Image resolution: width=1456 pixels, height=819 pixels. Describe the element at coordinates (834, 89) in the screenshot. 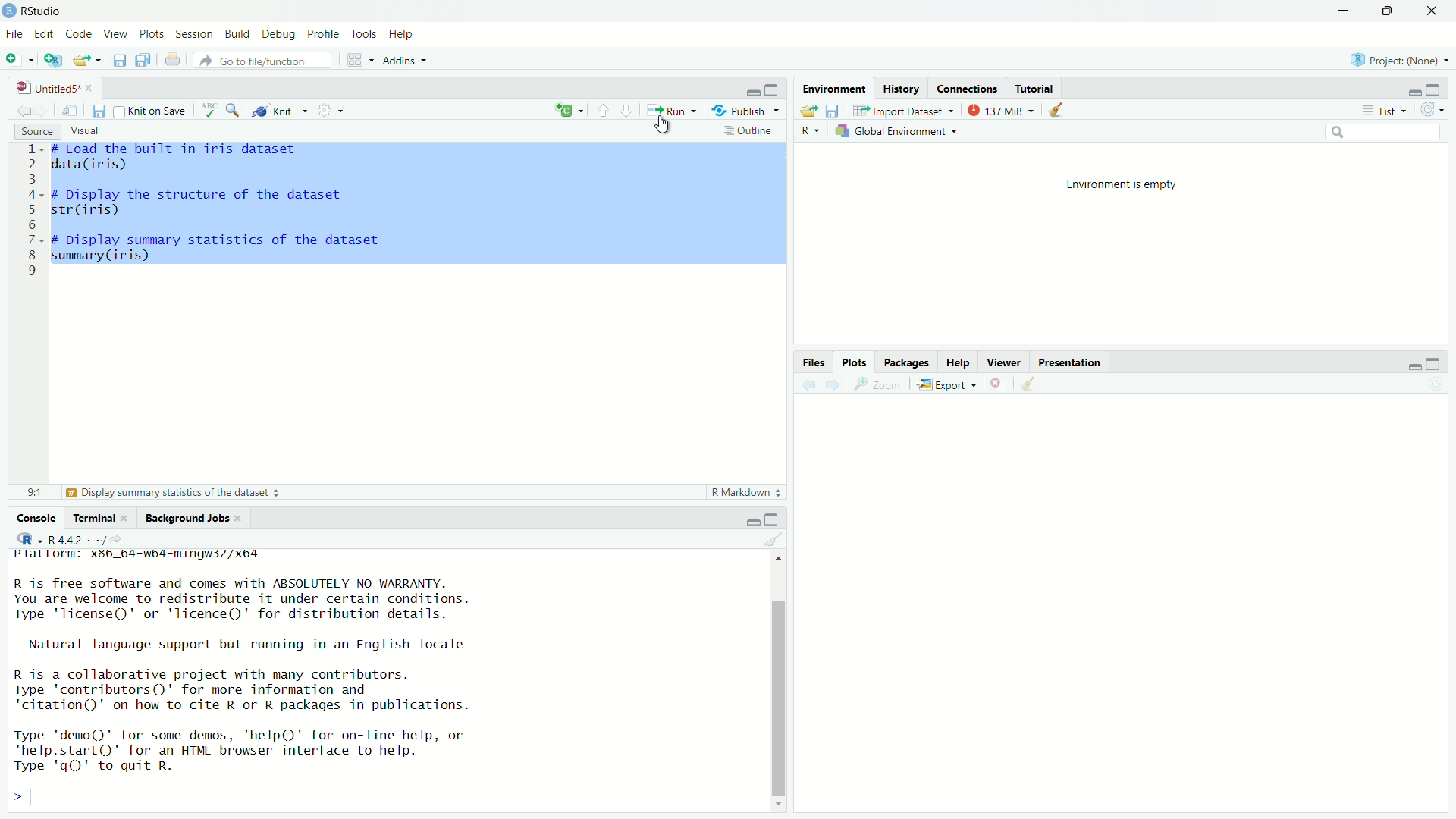

I see `Environment` at that location.